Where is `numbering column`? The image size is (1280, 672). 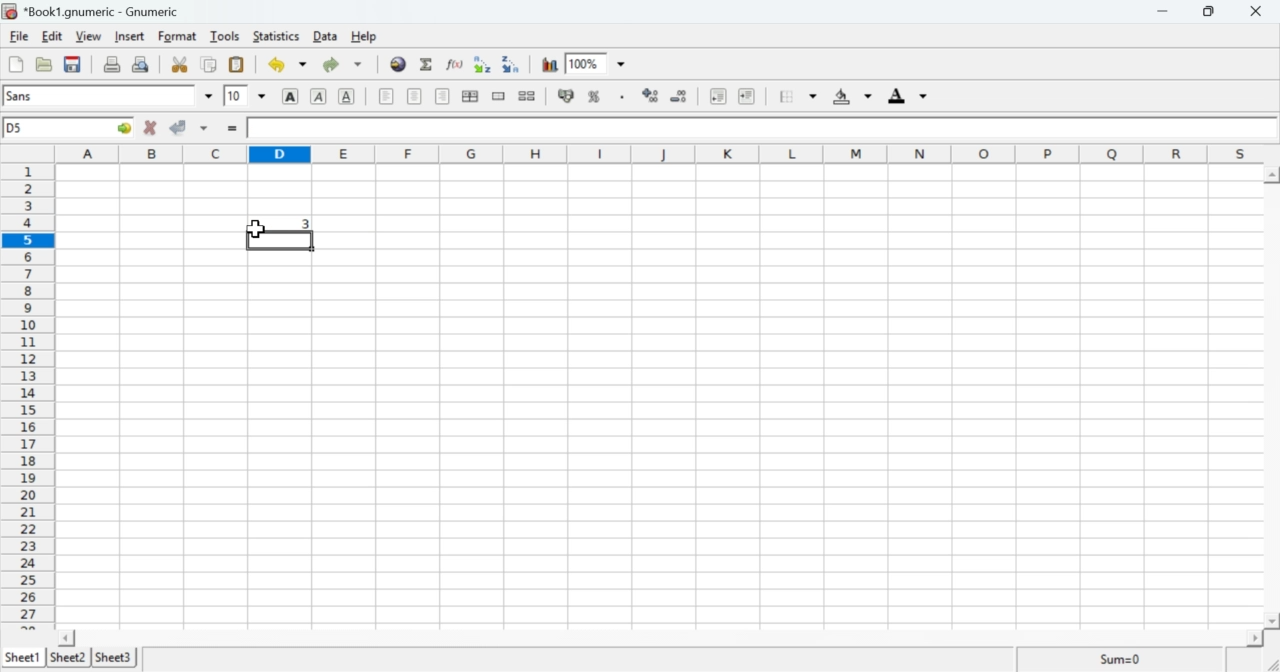 numbering column is located at coordinates (28, 394).